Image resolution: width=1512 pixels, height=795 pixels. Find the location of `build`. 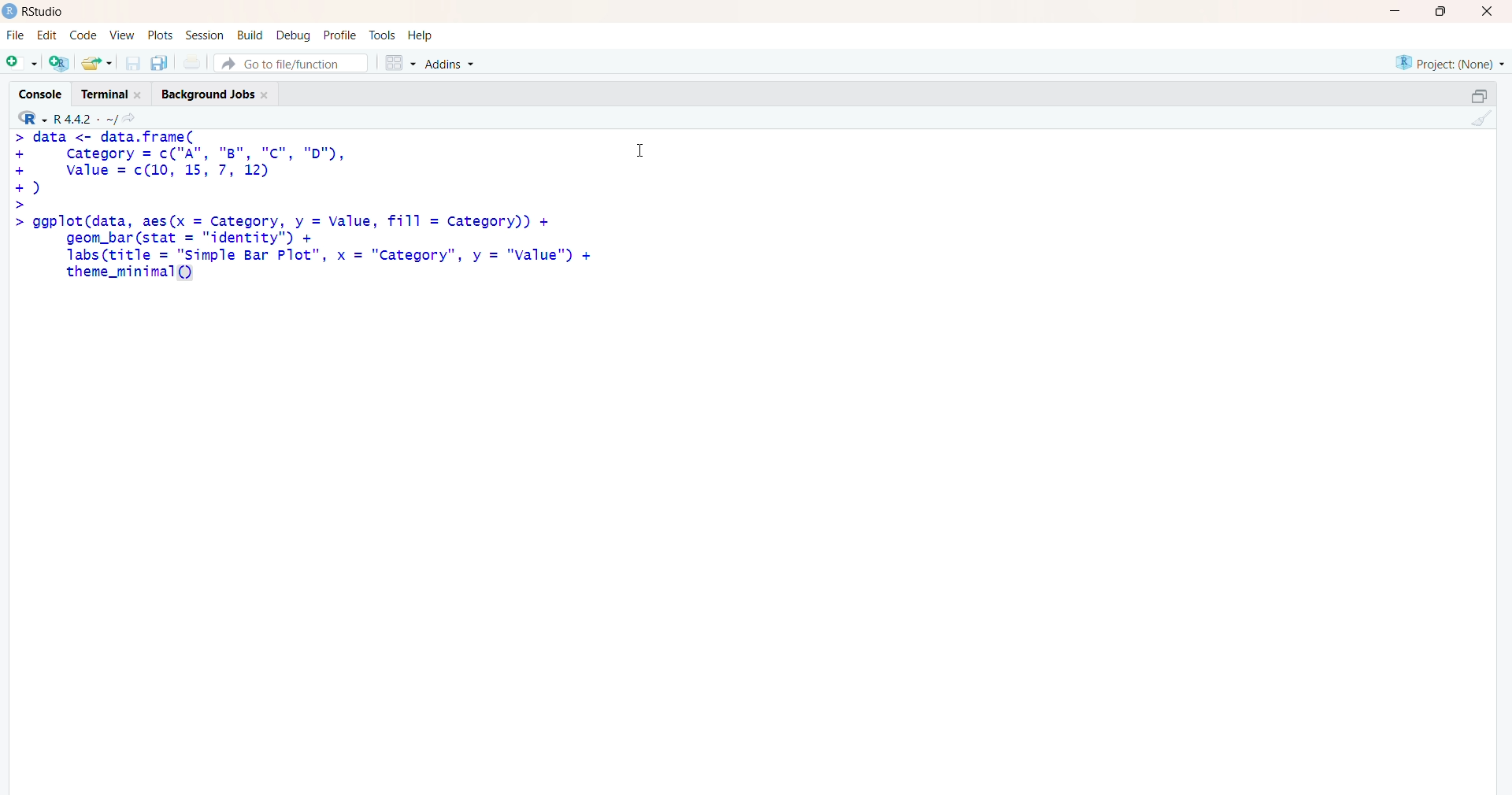

build is located at coordinates (249, 35).